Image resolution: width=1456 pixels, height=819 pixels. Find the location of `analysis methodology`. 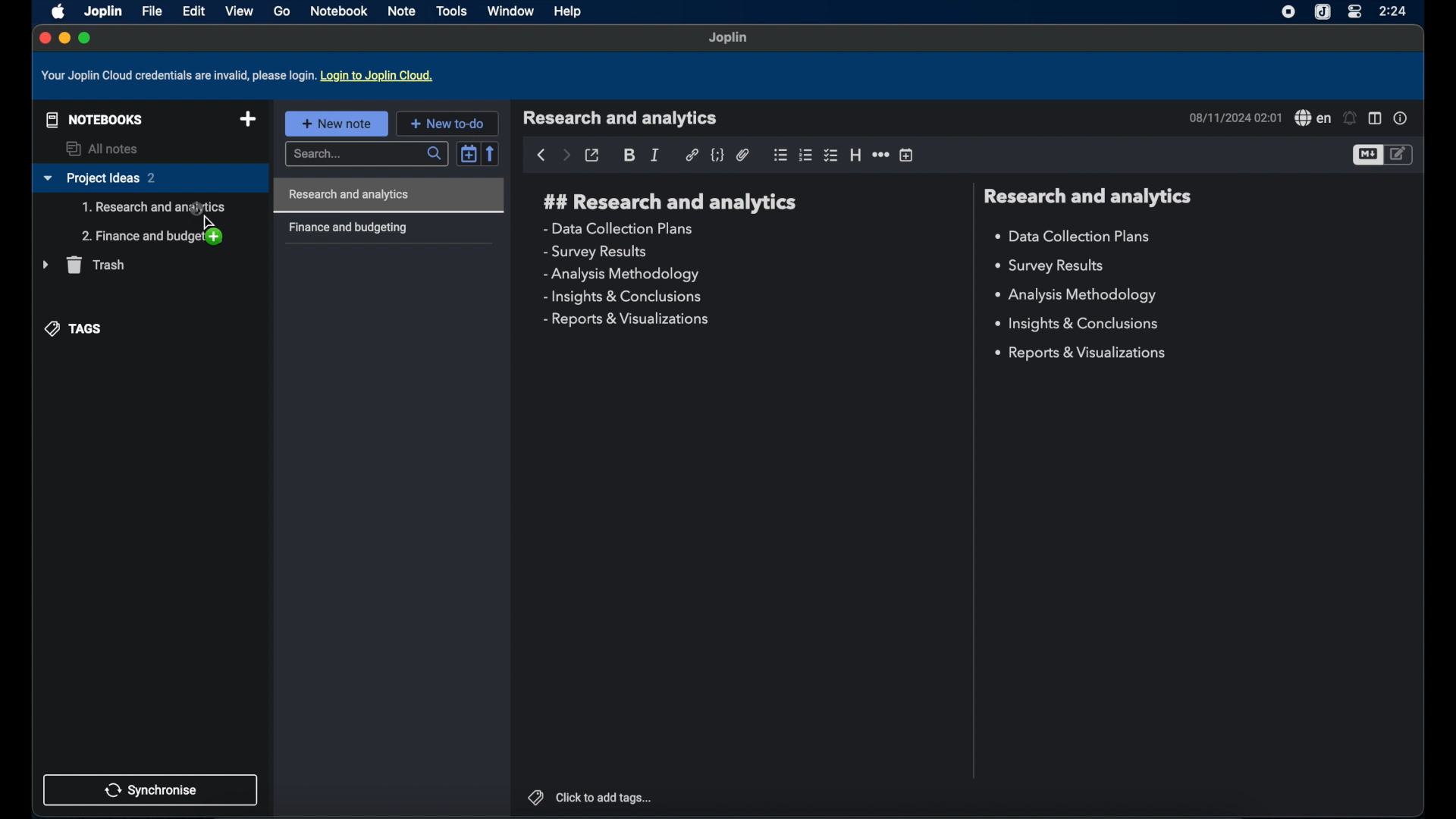

analysis methodology is located at coordinates (1075, 296).